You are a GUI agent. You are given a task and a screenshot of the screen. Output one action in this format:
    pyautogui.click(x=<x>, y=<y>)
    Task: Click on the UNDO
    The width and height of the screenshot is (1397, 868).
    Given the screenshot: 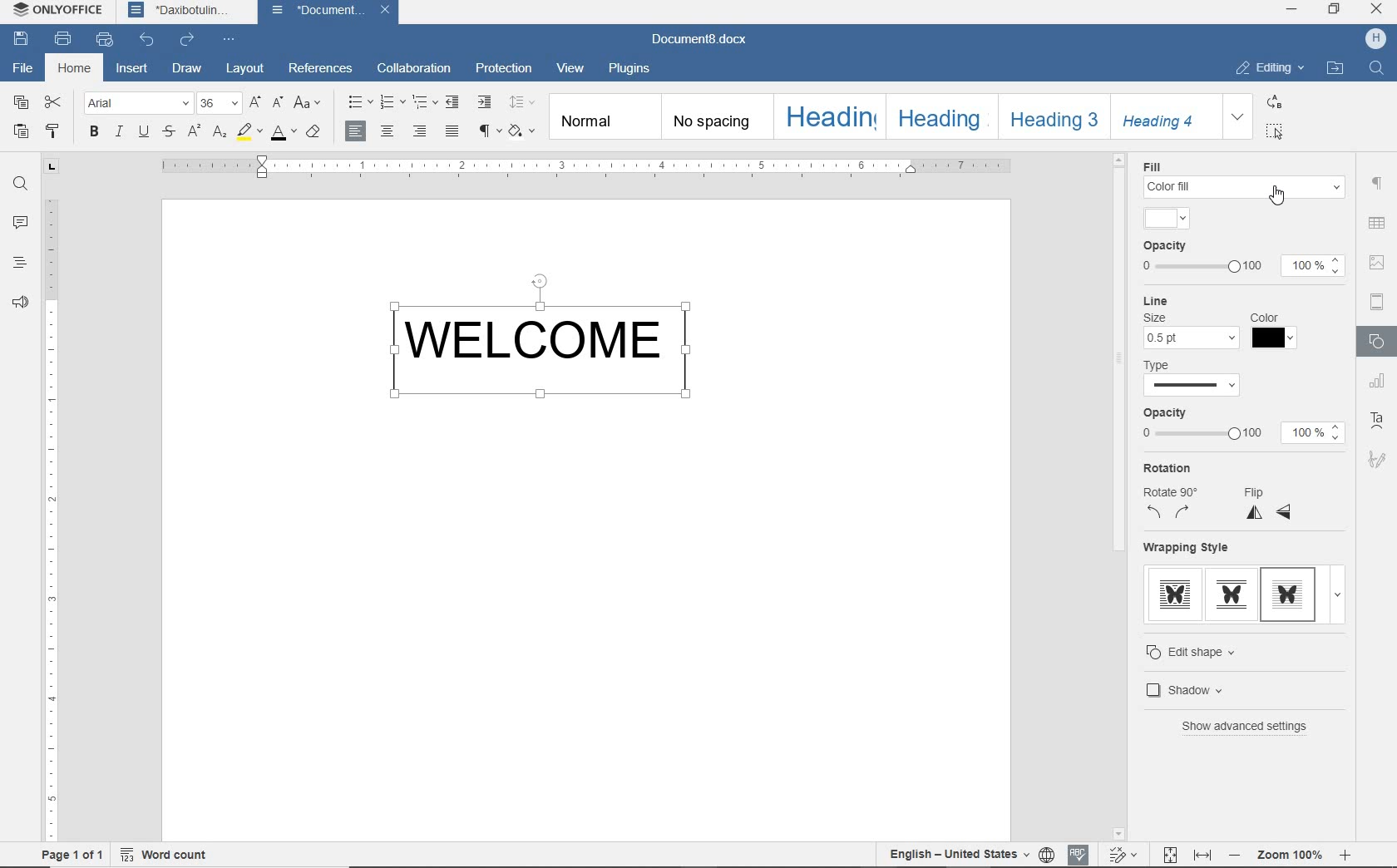 What is the action you would take?
    pyautogui.click(x=148, y=40)
    